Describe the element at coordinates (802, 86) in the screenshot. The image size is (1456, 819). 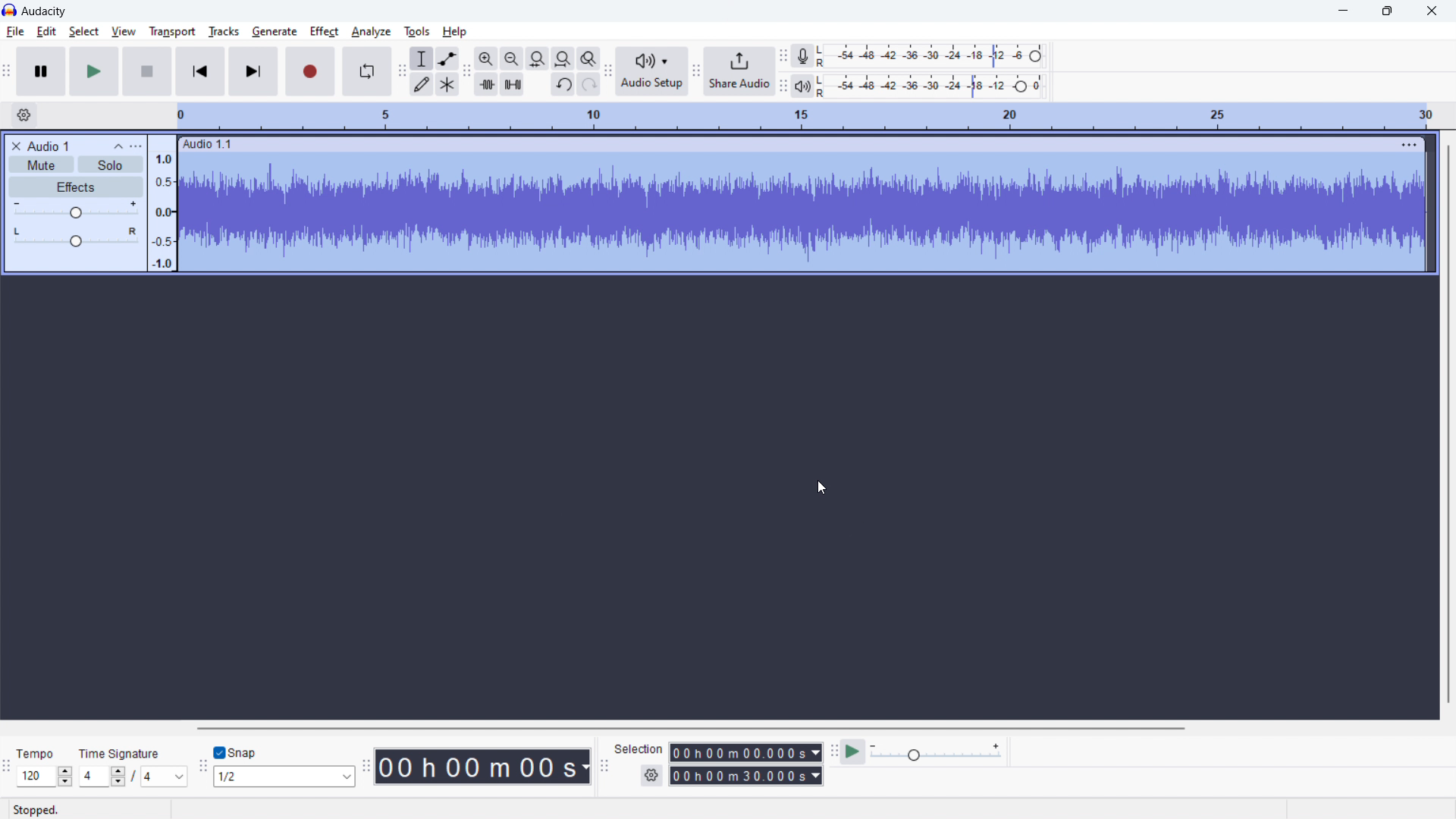
I see `playback meter ` at that location.